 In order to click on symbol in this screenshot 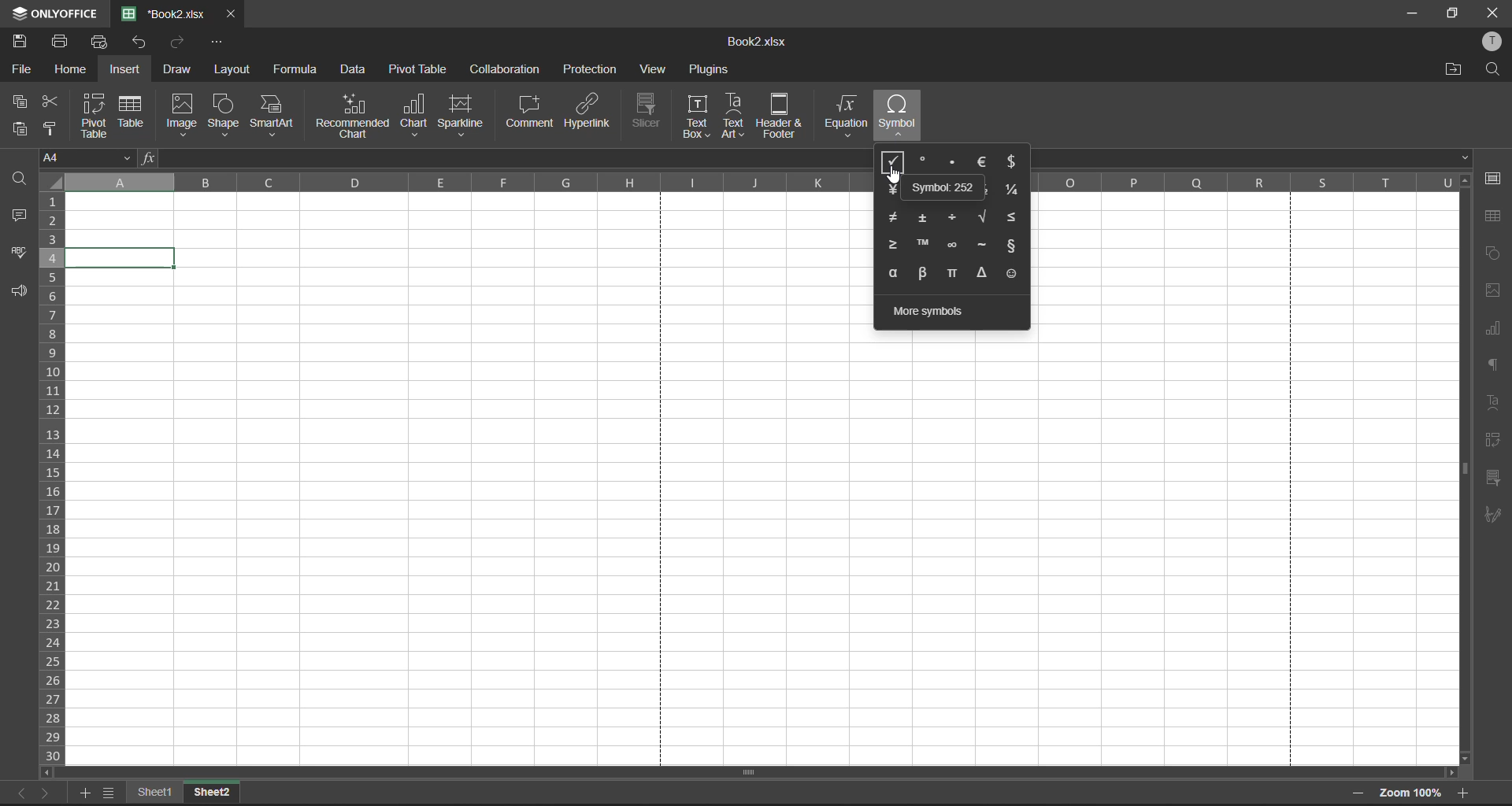, I will do `click(898, 115)`.